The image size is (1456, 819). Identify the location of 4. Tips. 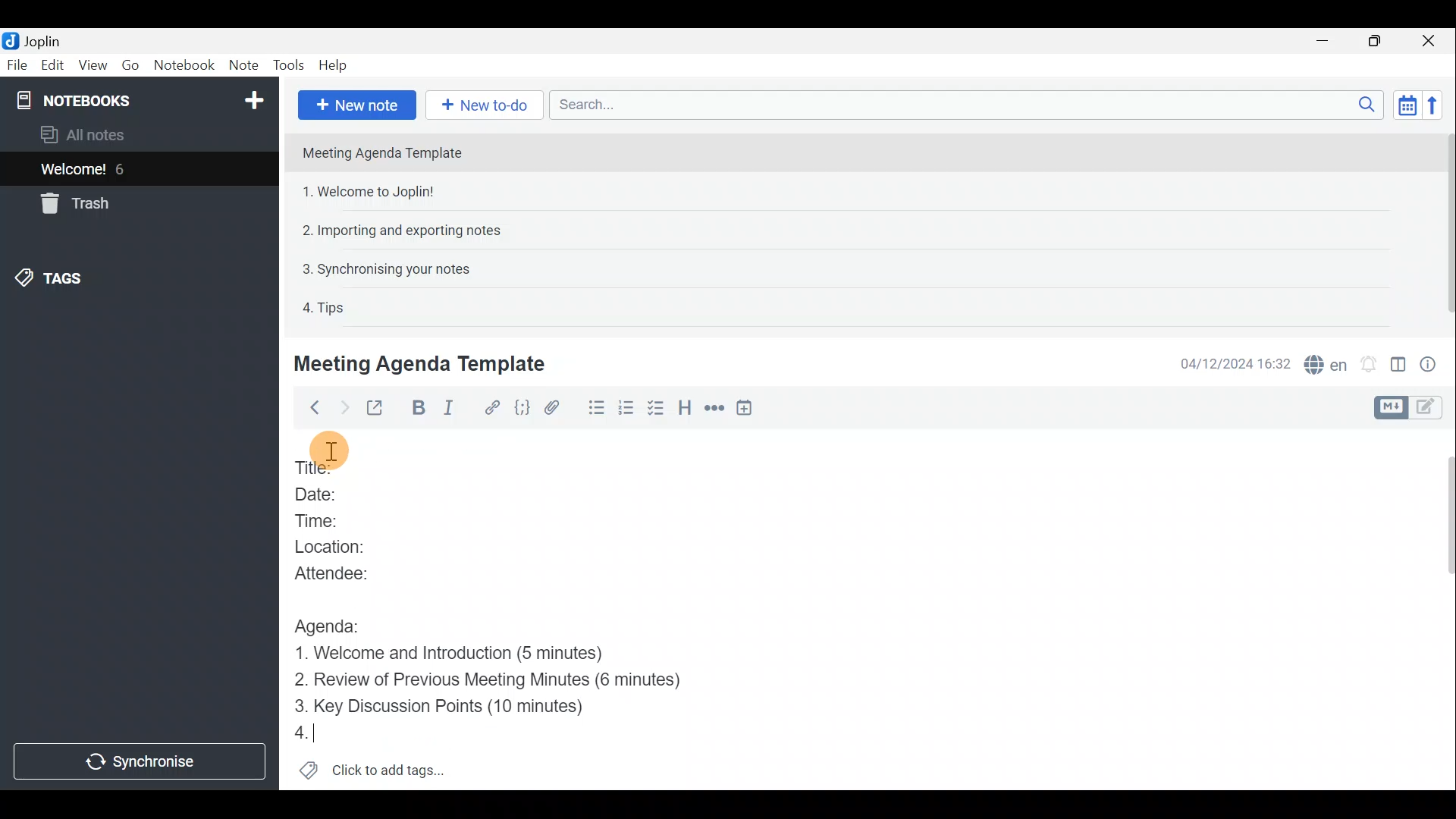
(325, 307).